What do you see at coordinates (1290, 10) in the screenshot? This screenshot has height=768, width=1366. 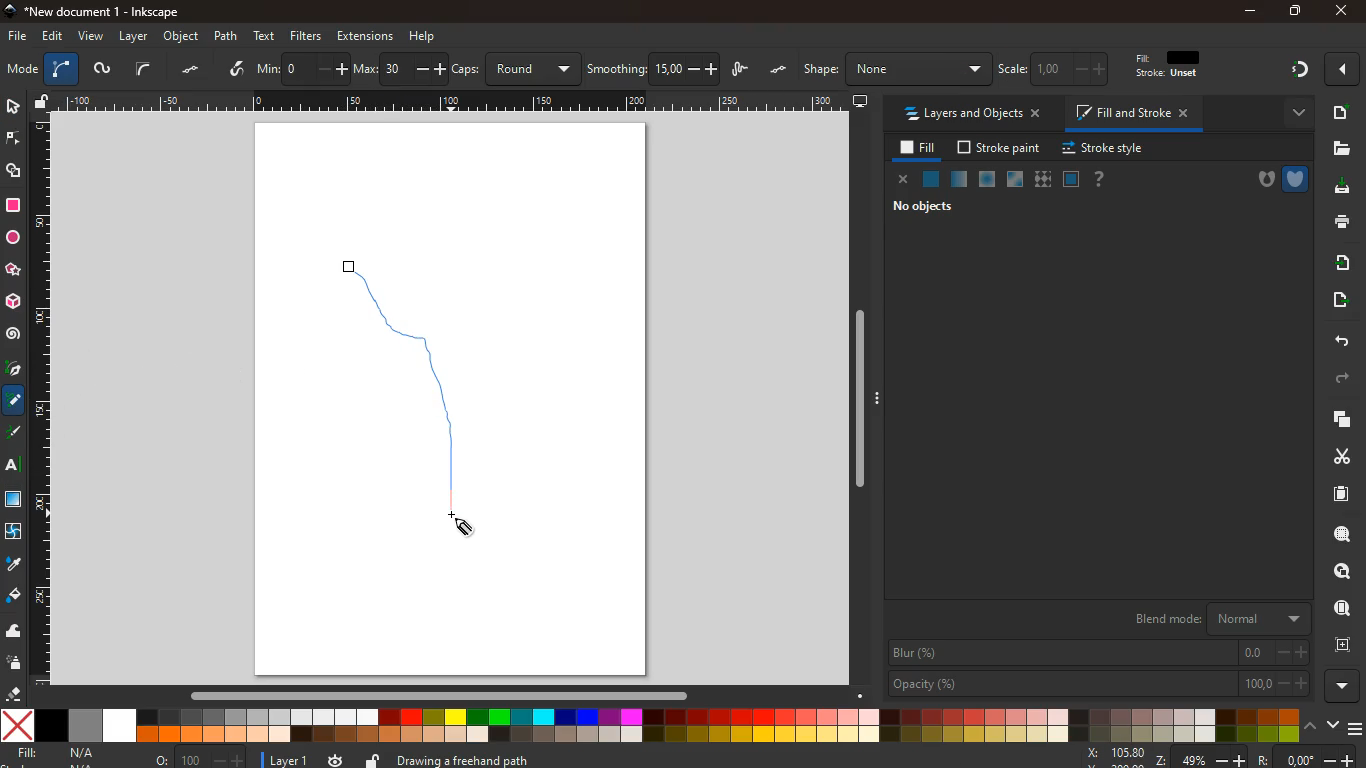 I see `maximize` at bounding box center [1290, 10].